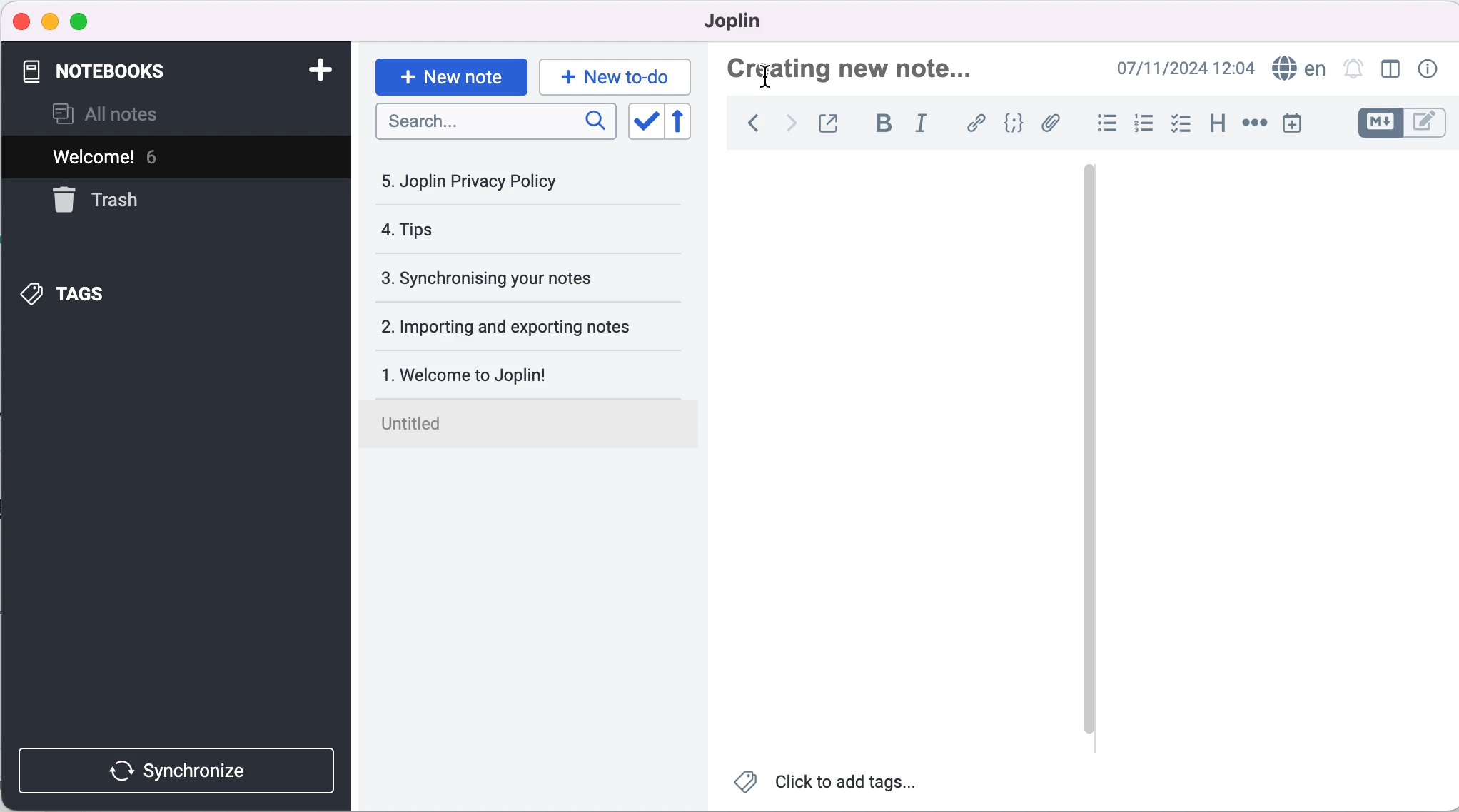  What do you see at coordinates (1353, 69) in the screenshot?
I see `set alarm` at bounding box center [1353, 69].